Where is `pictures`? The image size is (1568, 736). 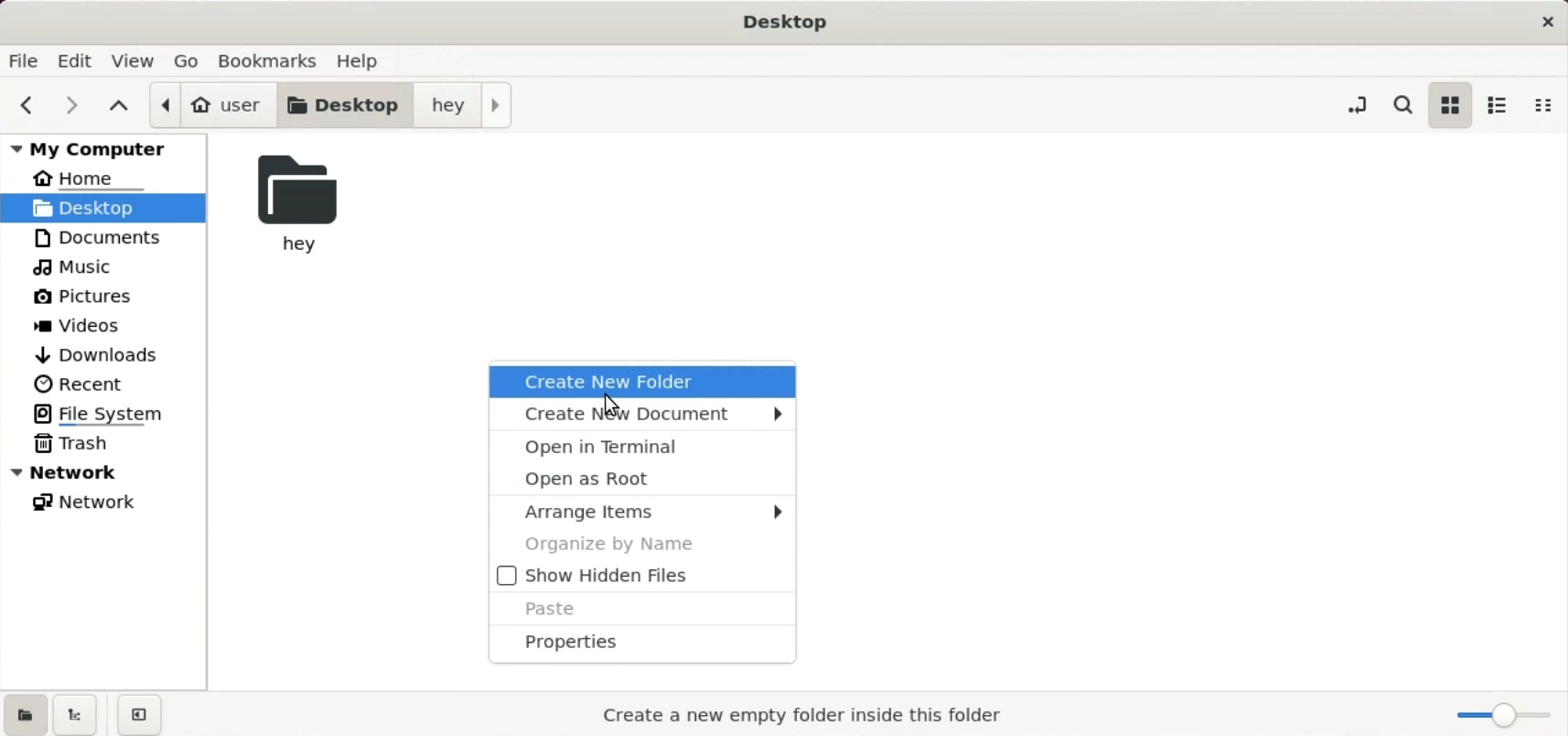 pictures is located at coordinates (82, 296).